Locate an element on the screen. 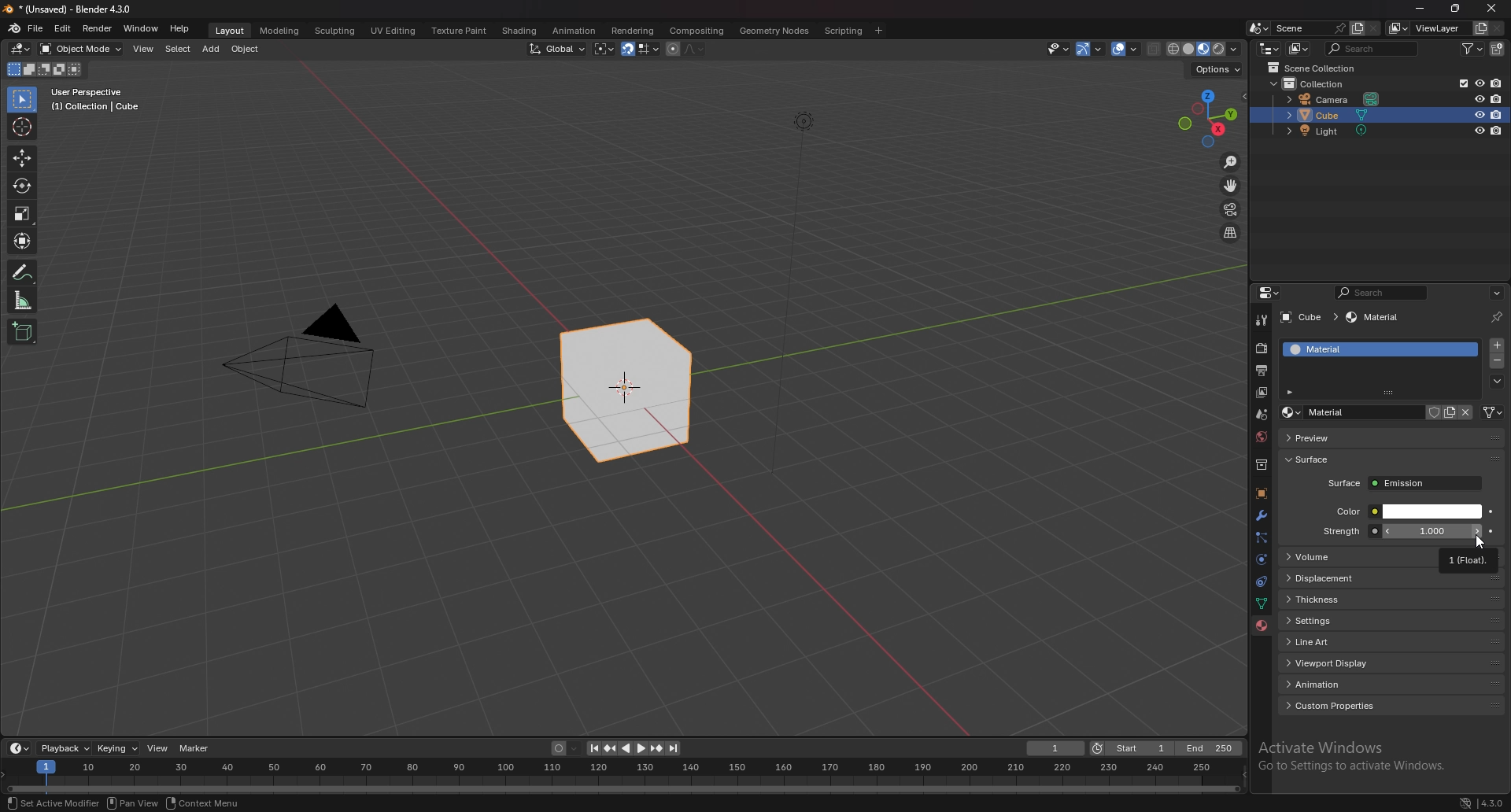 This screenshot has height=812, width=1511. world is located at coordinates (1263, 435).